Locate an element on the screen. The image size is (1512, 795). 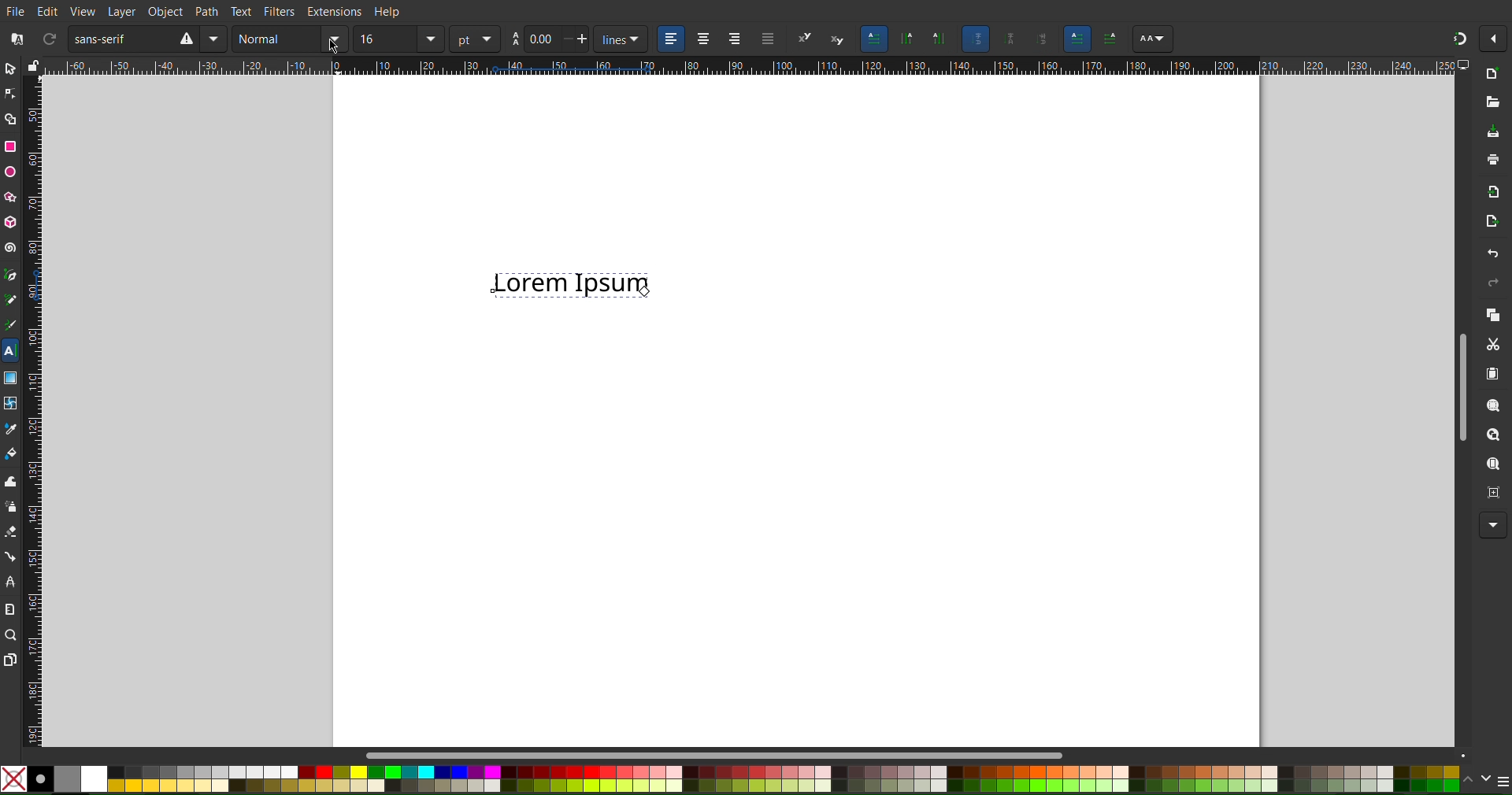
Help is located at coordinates (387, 11).